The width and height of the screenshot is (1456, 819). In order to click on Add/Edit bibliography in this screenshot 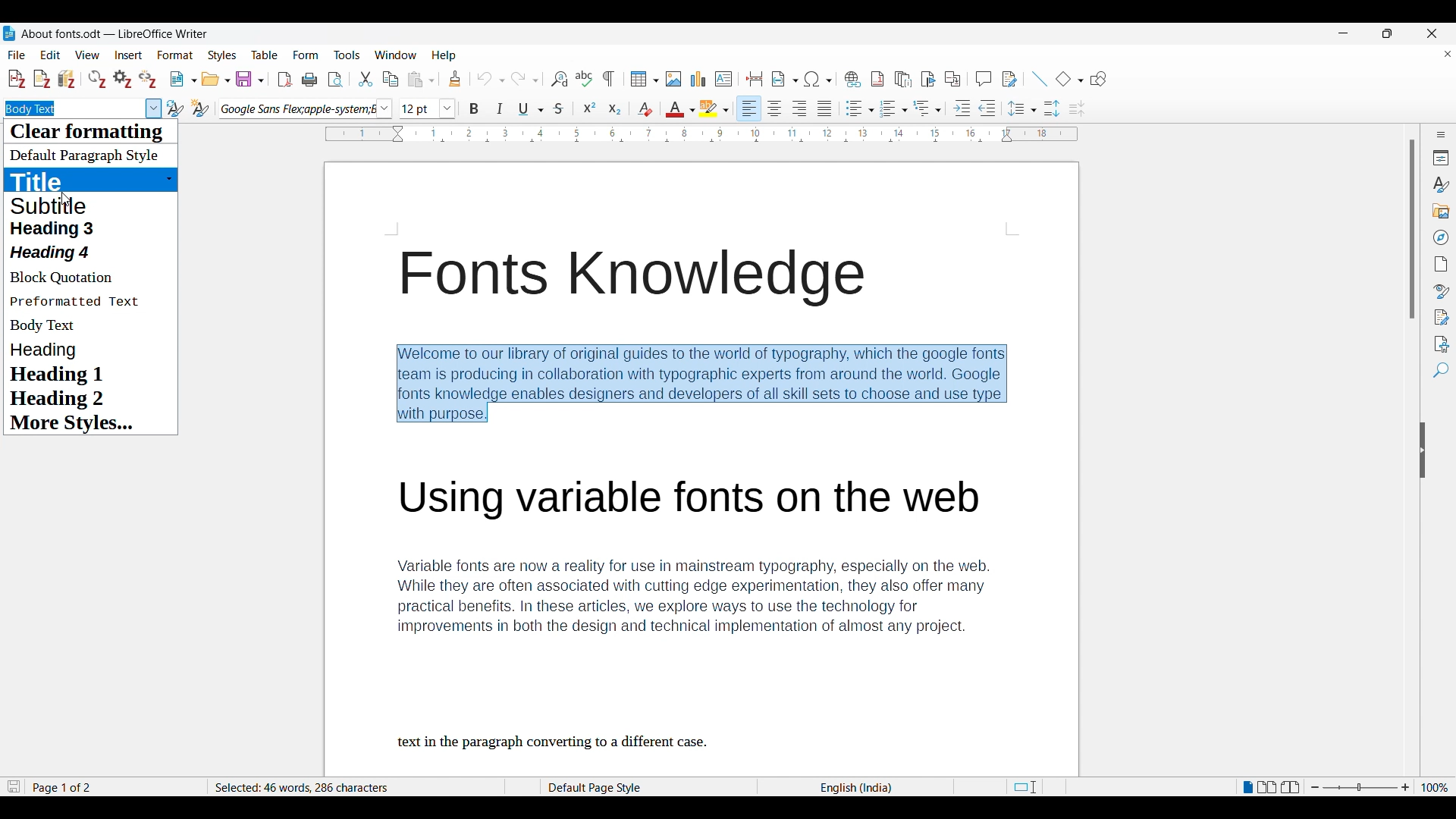, I will do `click(67, 80)`.